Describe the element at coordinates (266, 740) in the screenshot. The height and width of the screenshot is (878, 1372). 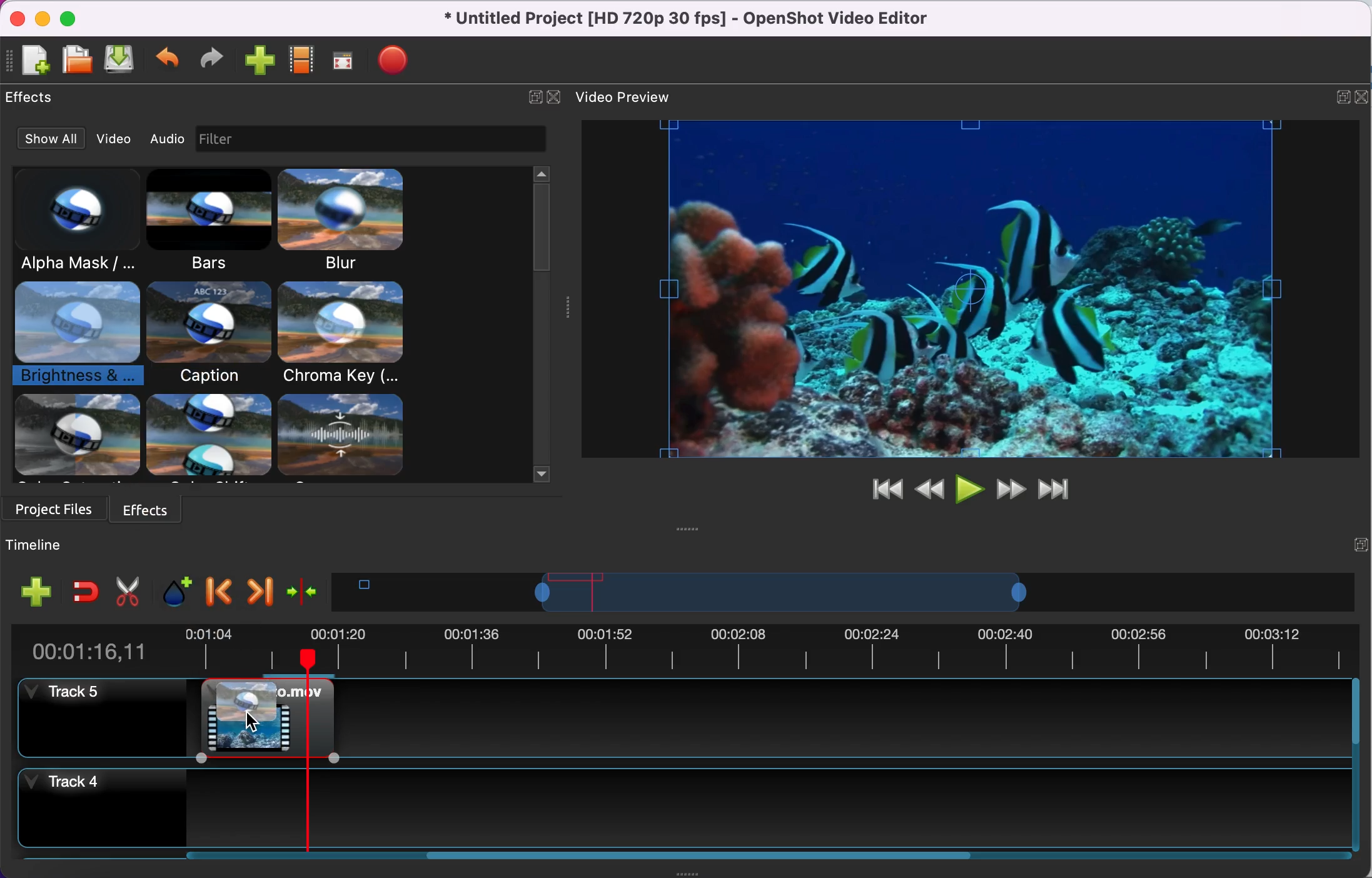
I see `Marcito movie` at that location.